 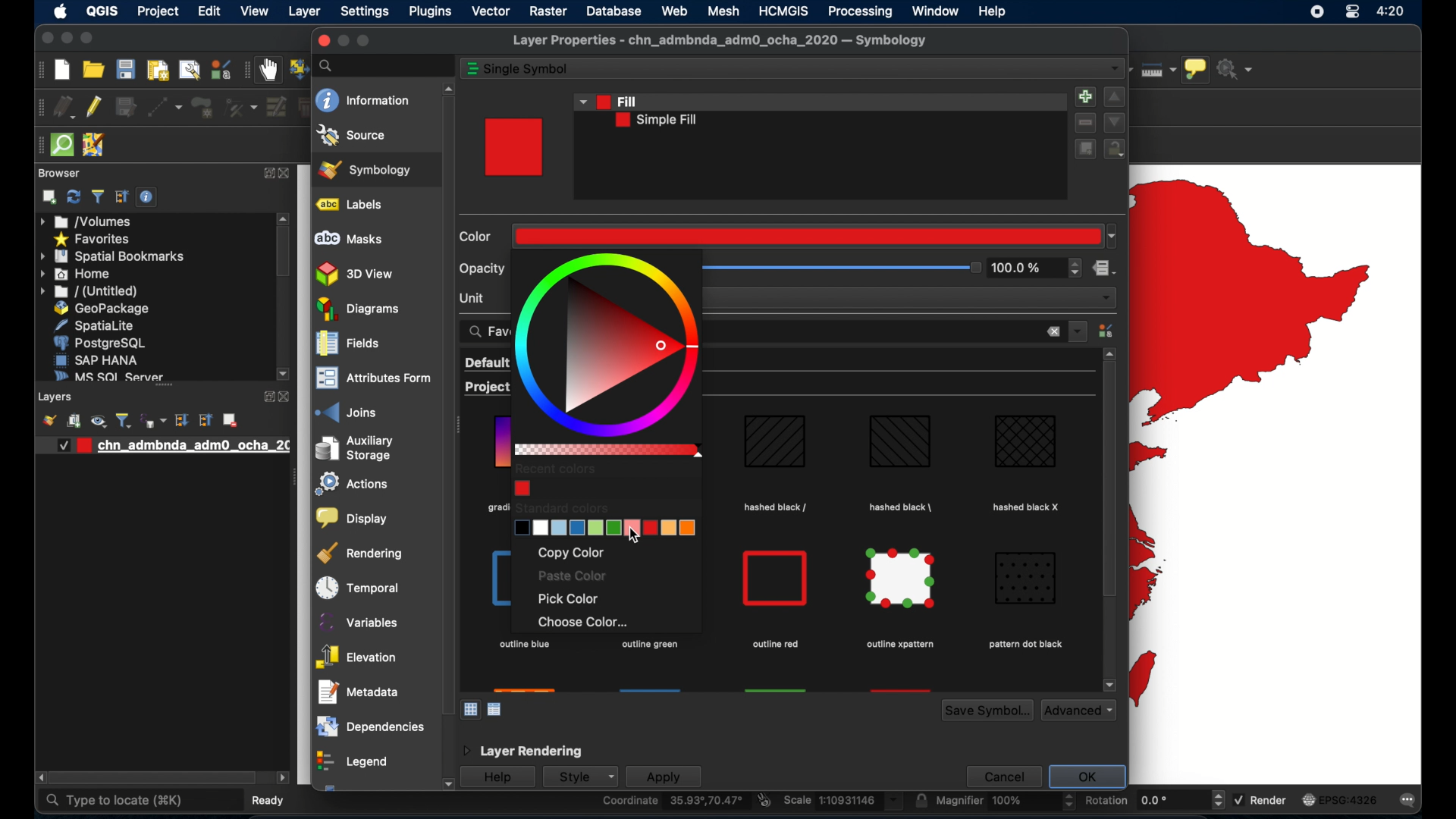 I want to click on plugins, so click(x=430, y=14).